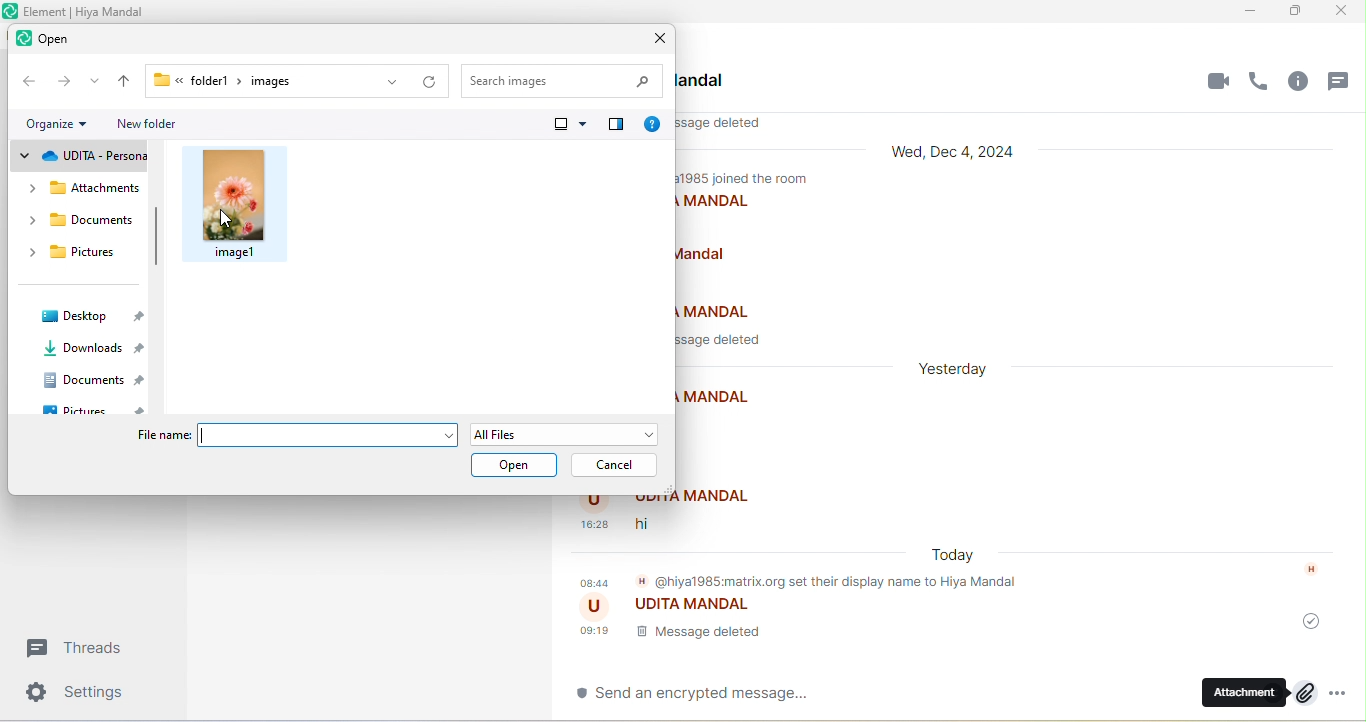  I want to click on title, so click(93, 10).